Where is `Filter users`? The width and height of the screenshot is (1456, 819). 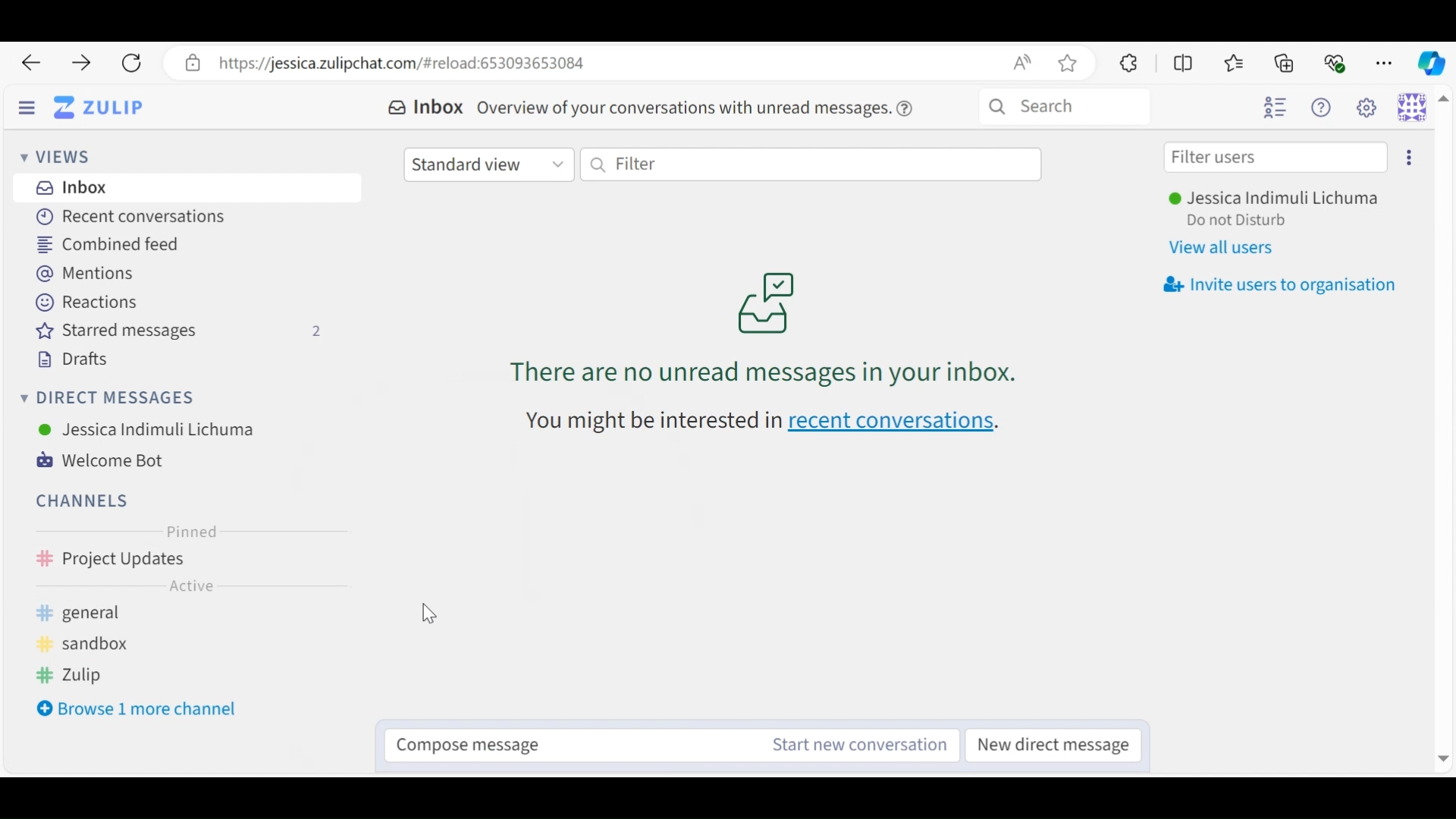
Filter users is located at coordinates (1276, 158).